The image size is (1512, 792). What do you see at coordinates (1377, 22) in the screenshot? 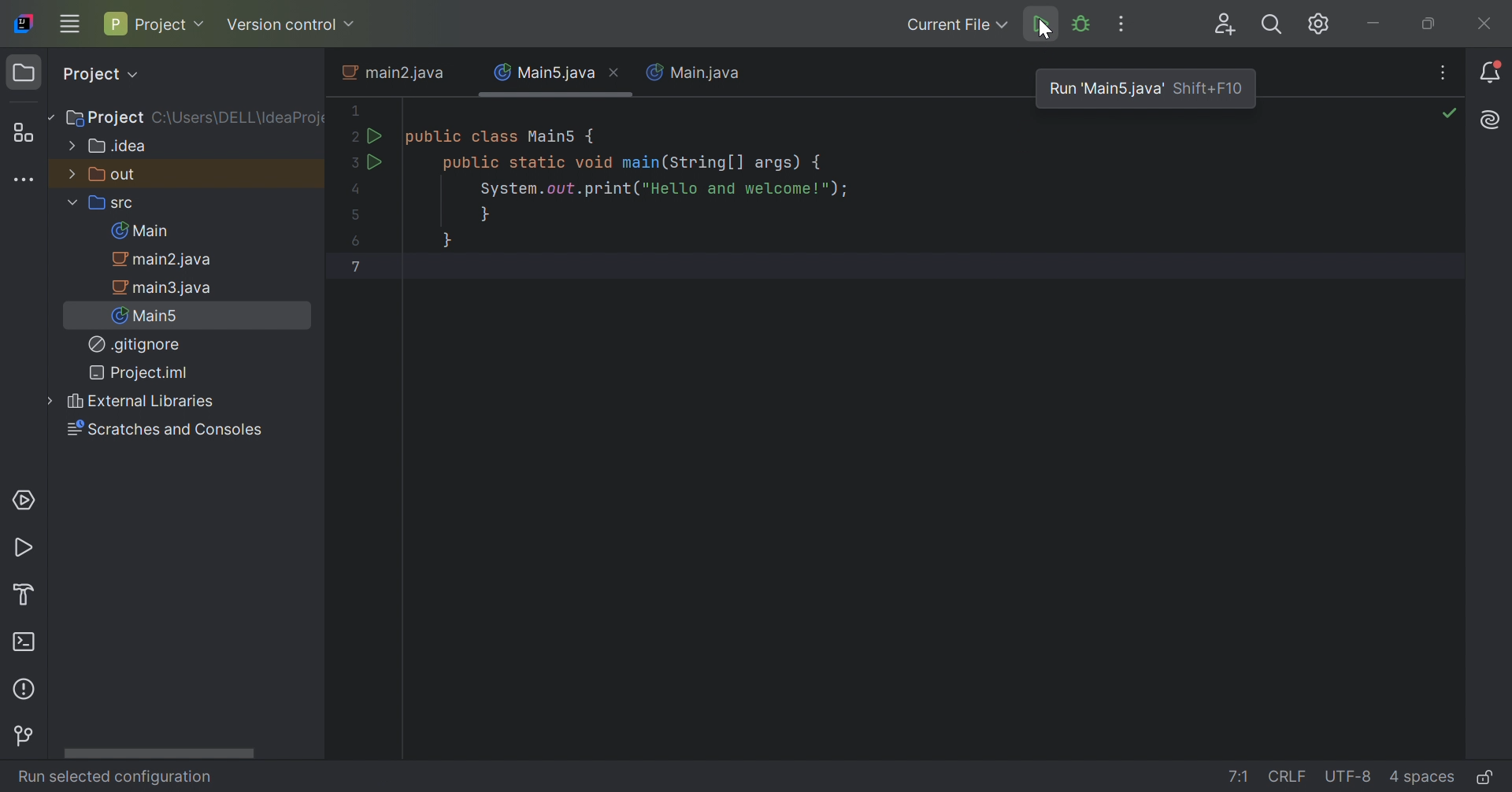
I see `Minimize` at bounding box center [1377, 22].